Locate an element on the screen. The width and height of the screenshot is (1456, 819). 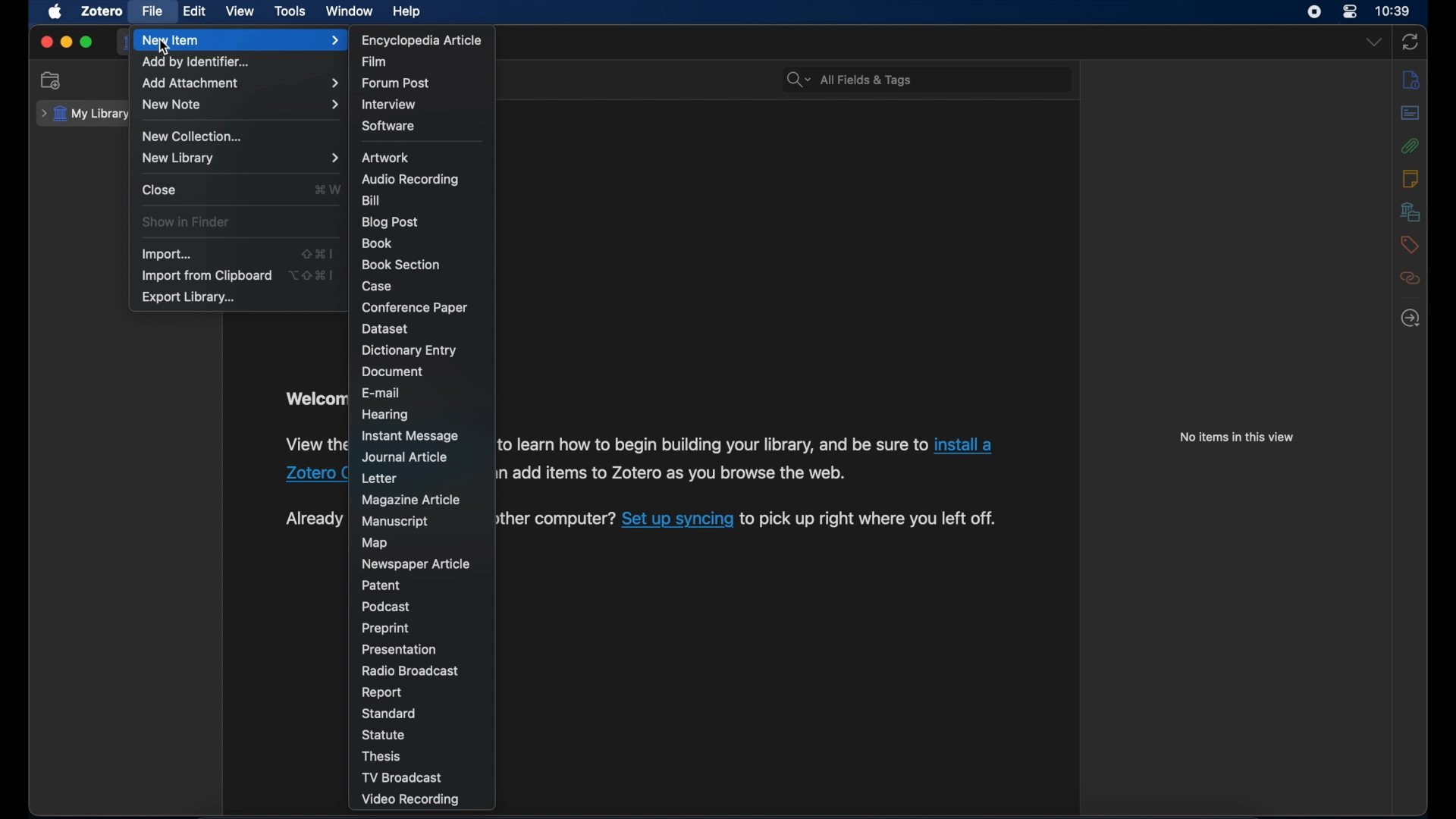
document is located at coordinates (391, 372).